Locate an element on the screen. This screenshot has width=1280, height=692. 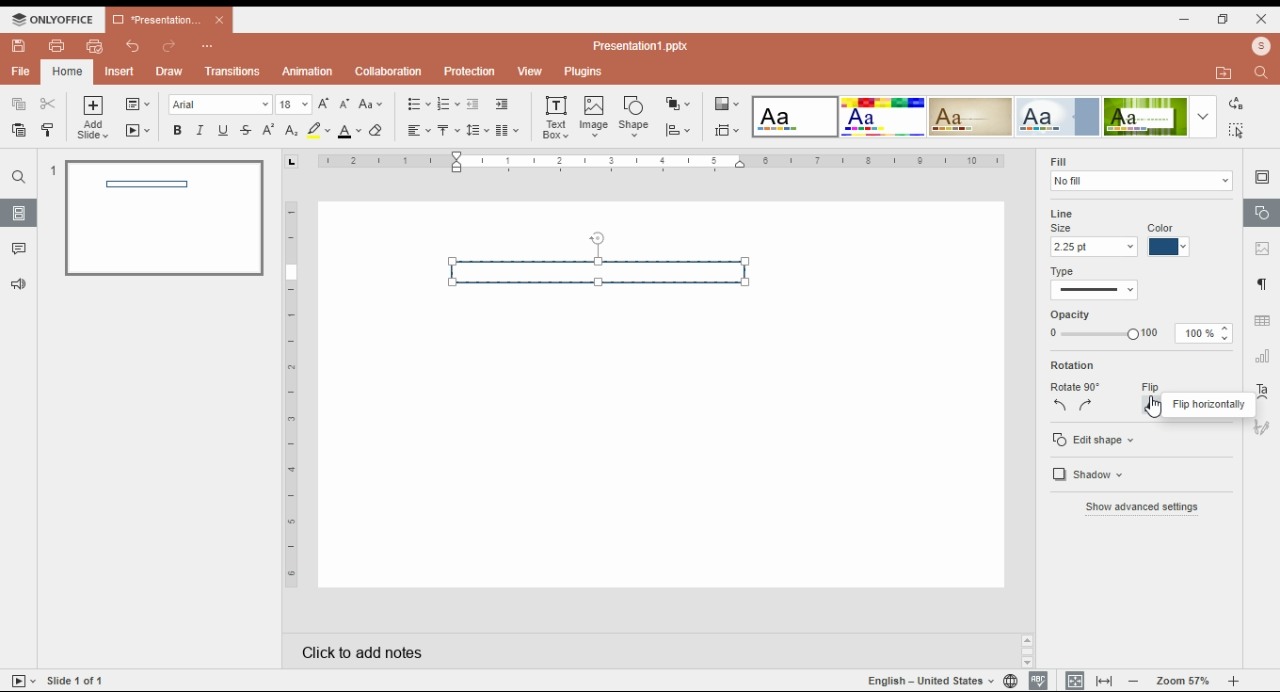
strikethrough is located at coordinates (246, 131).